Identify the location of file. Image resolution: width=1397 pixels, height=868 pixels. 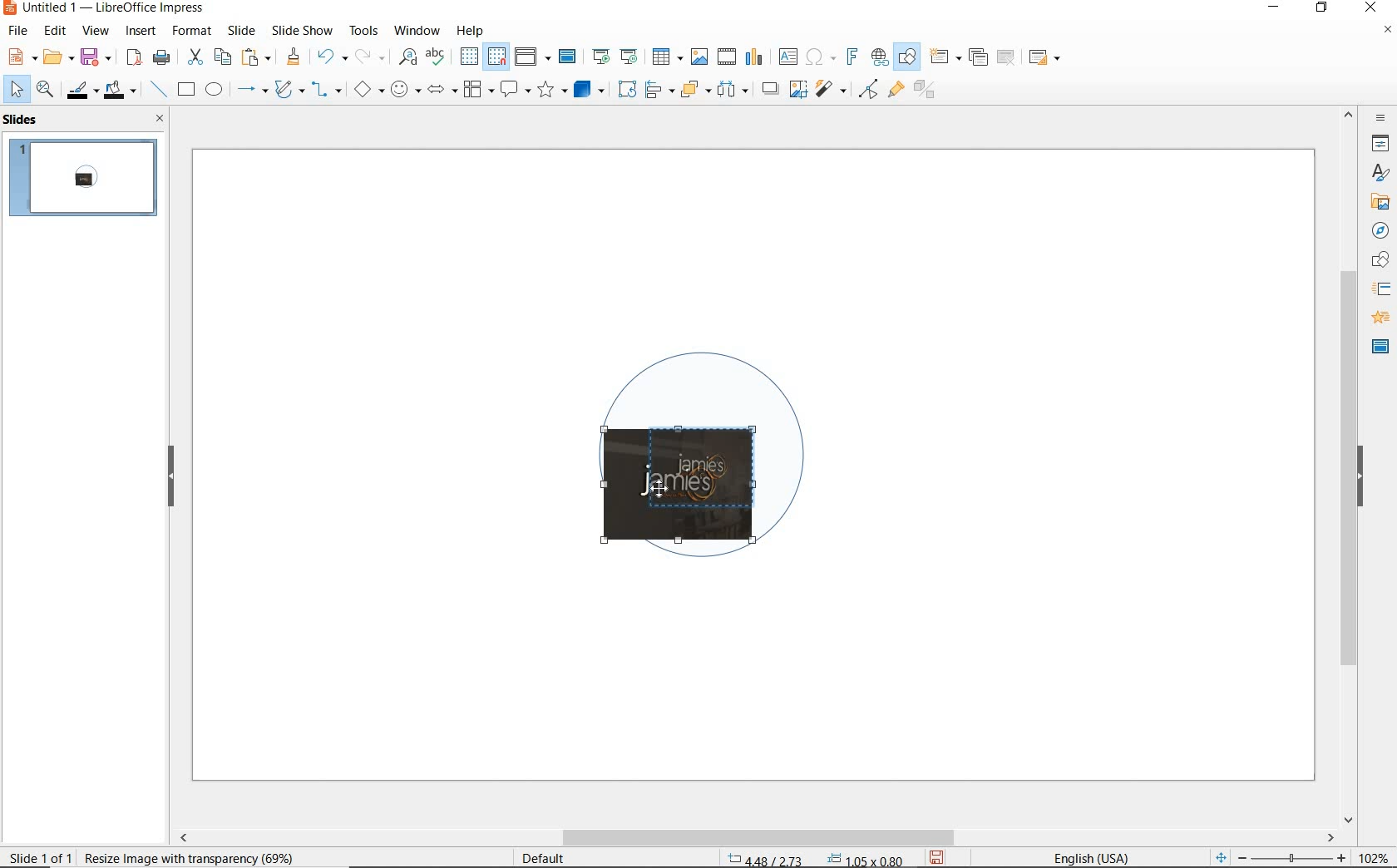
(19, 31).